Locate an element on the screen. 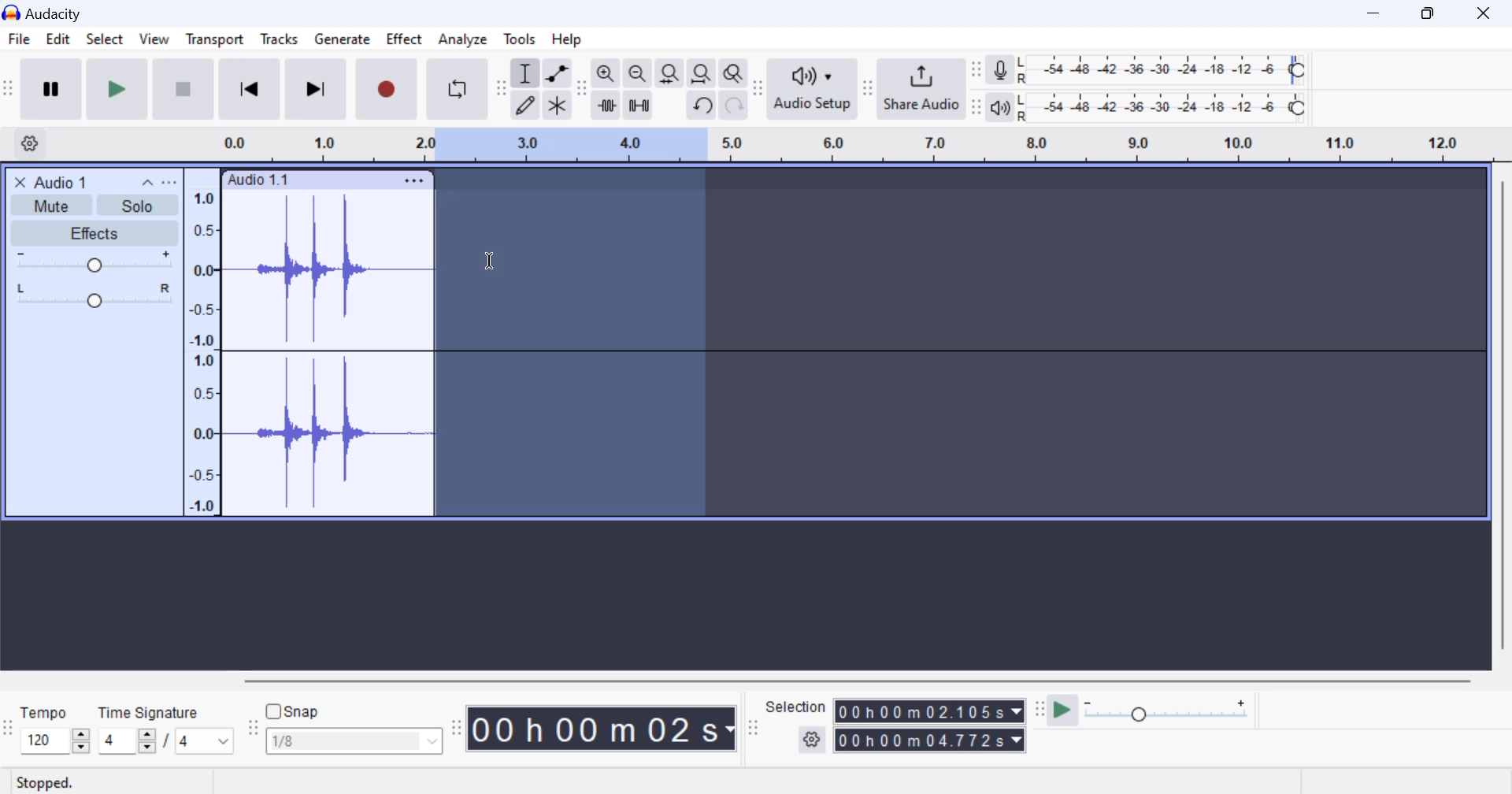 This screenshot has height=794, width=1512. record meter is located at coordinates (1001, 72).